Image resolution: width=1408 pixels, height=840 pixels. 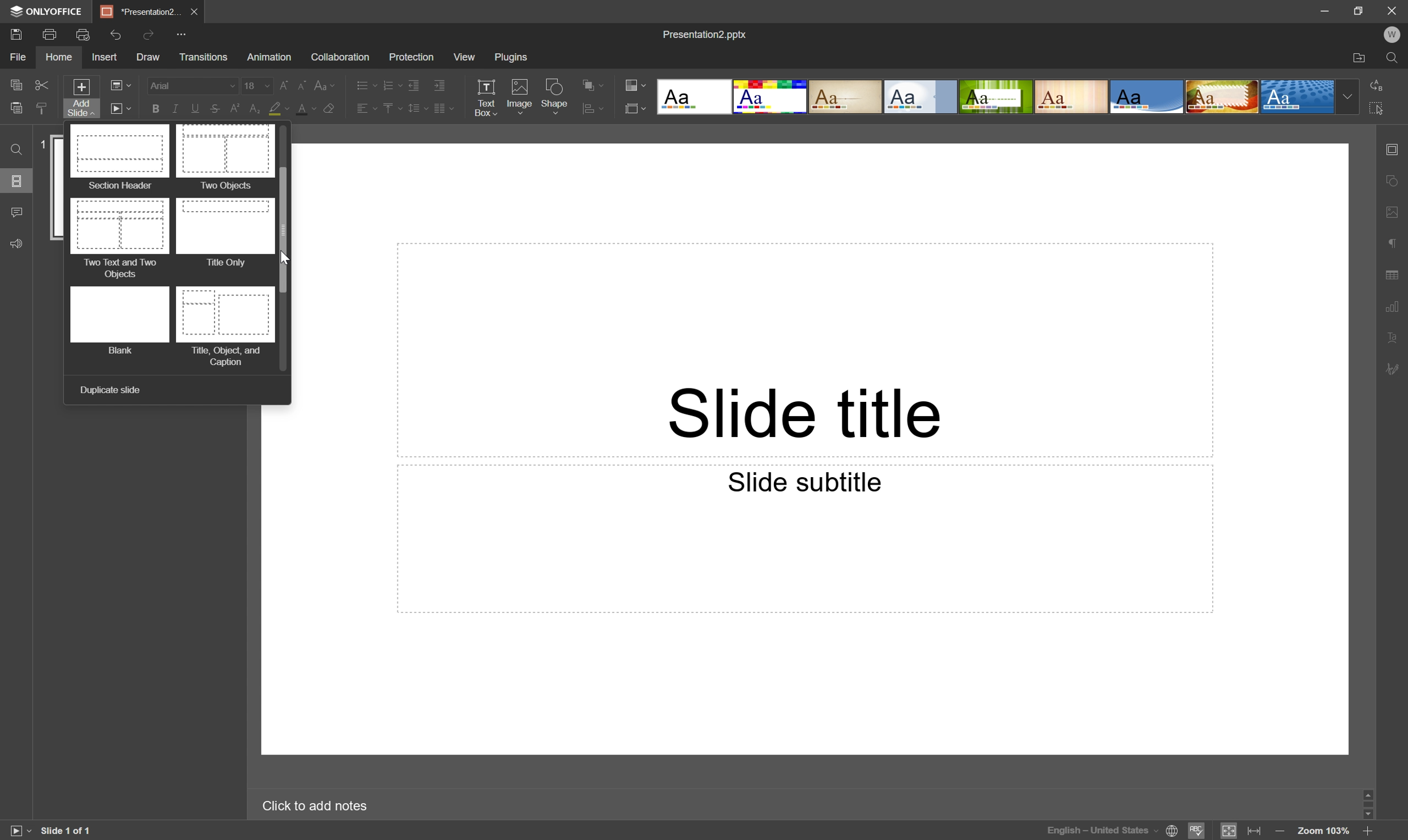 I want to click on slide 1, so click(x=58, y=188).